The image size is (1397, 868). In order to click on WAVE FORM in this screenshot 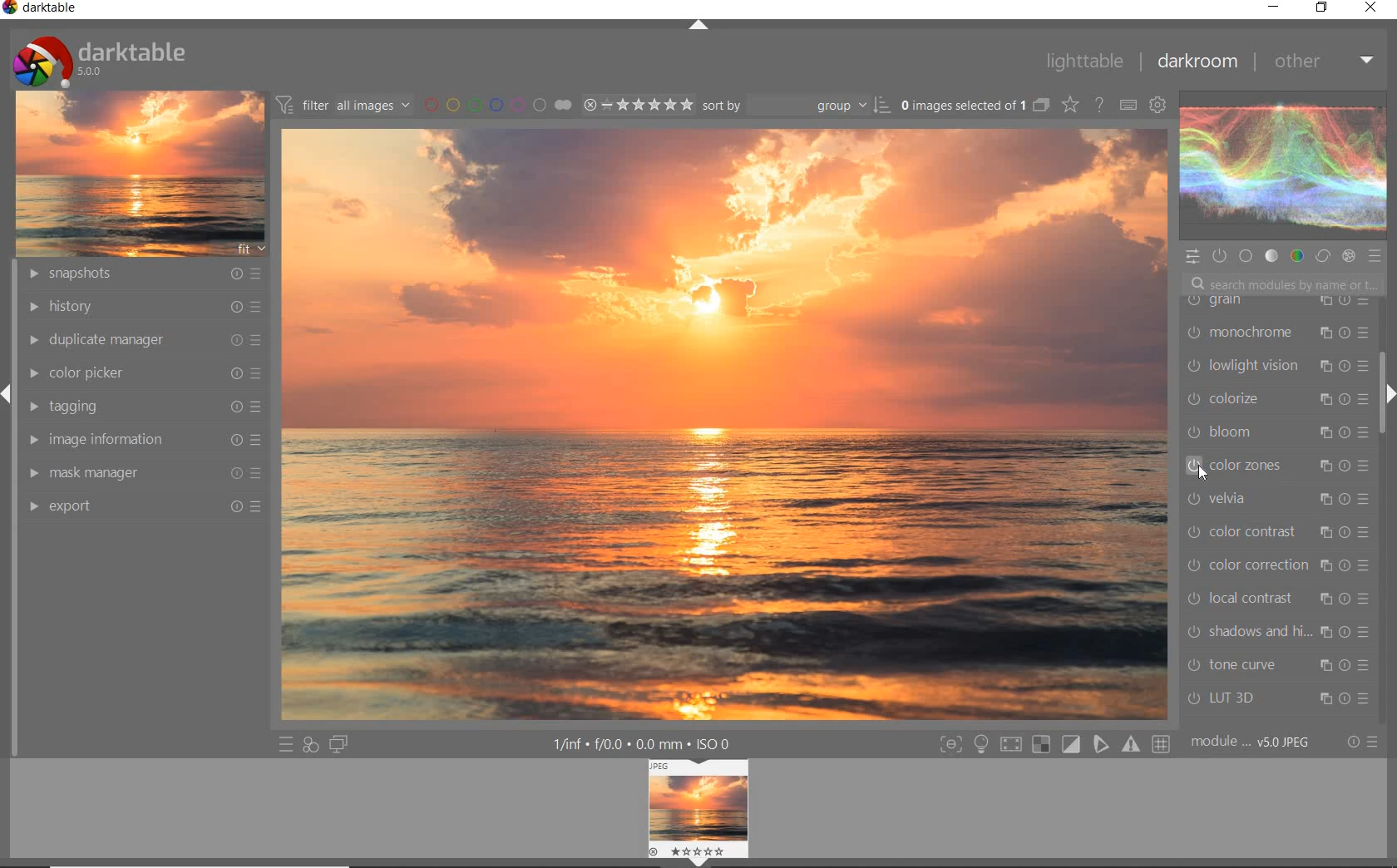, I will do `click(1281, 168)`.